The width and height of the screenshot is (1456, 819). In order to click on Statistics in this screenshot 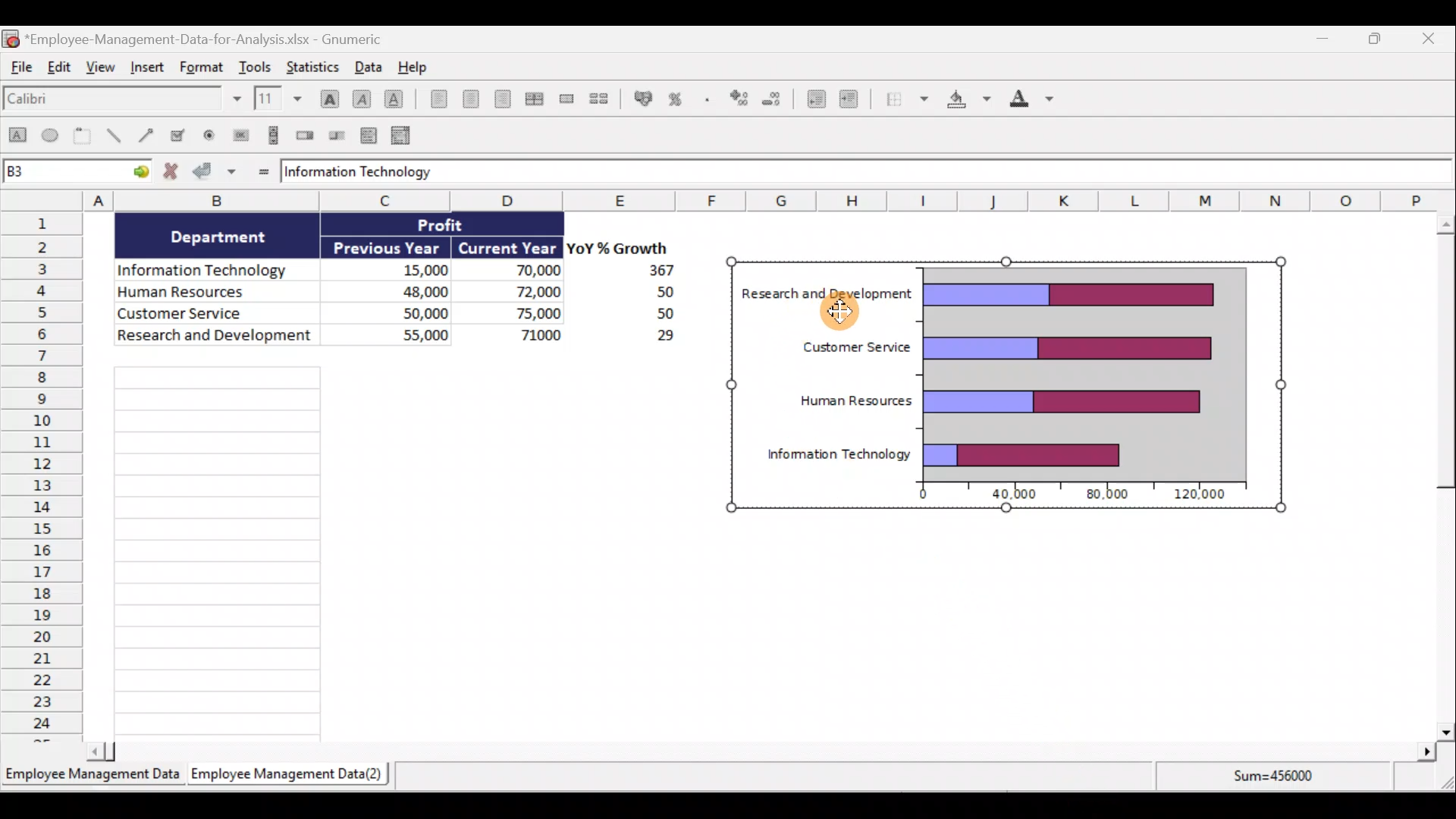, I will do `click(312, 65)`.